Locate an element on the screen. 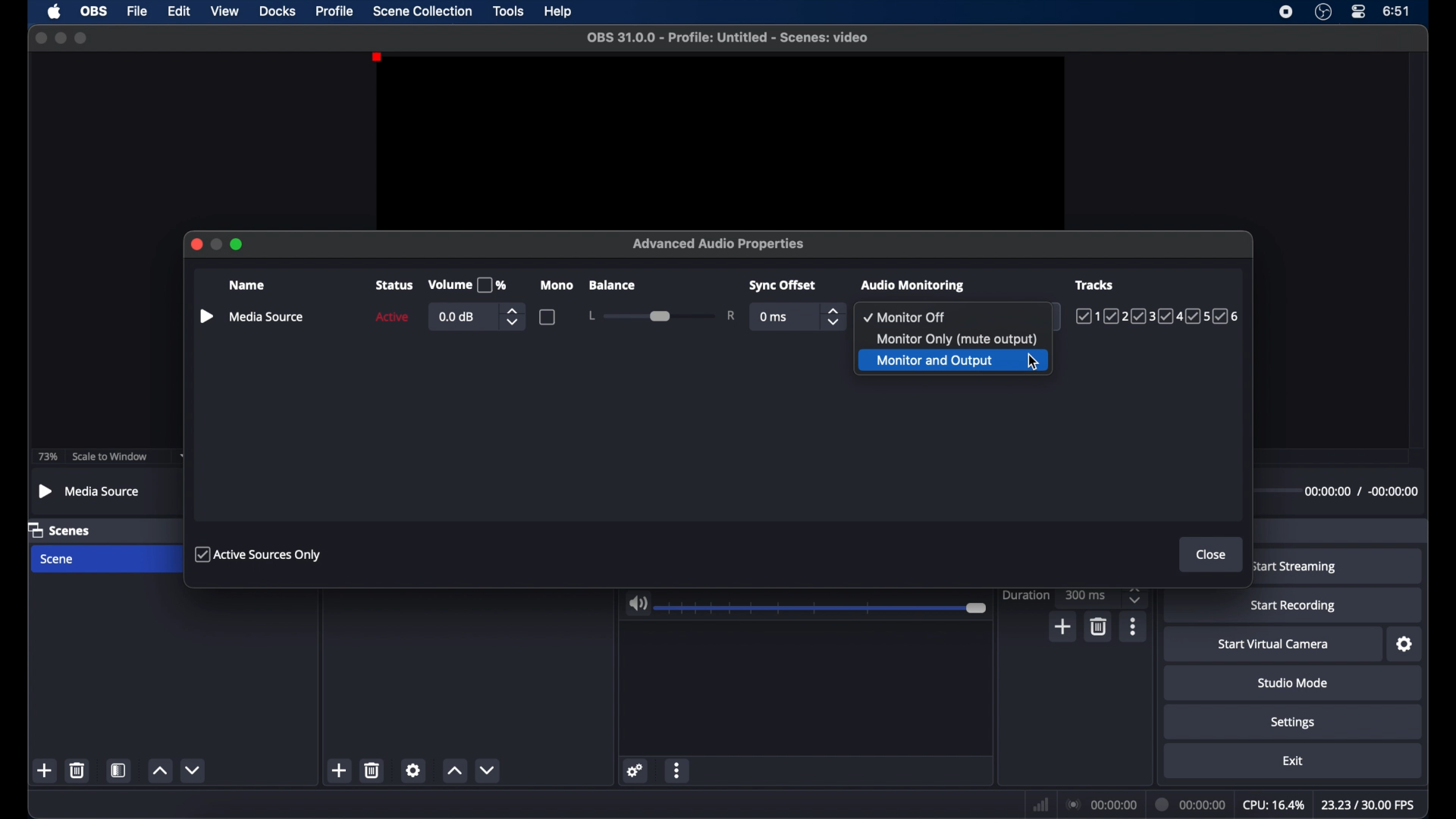 This screenshot has width=1456, height=819. studio mode is located at coordinates (1291, 682).